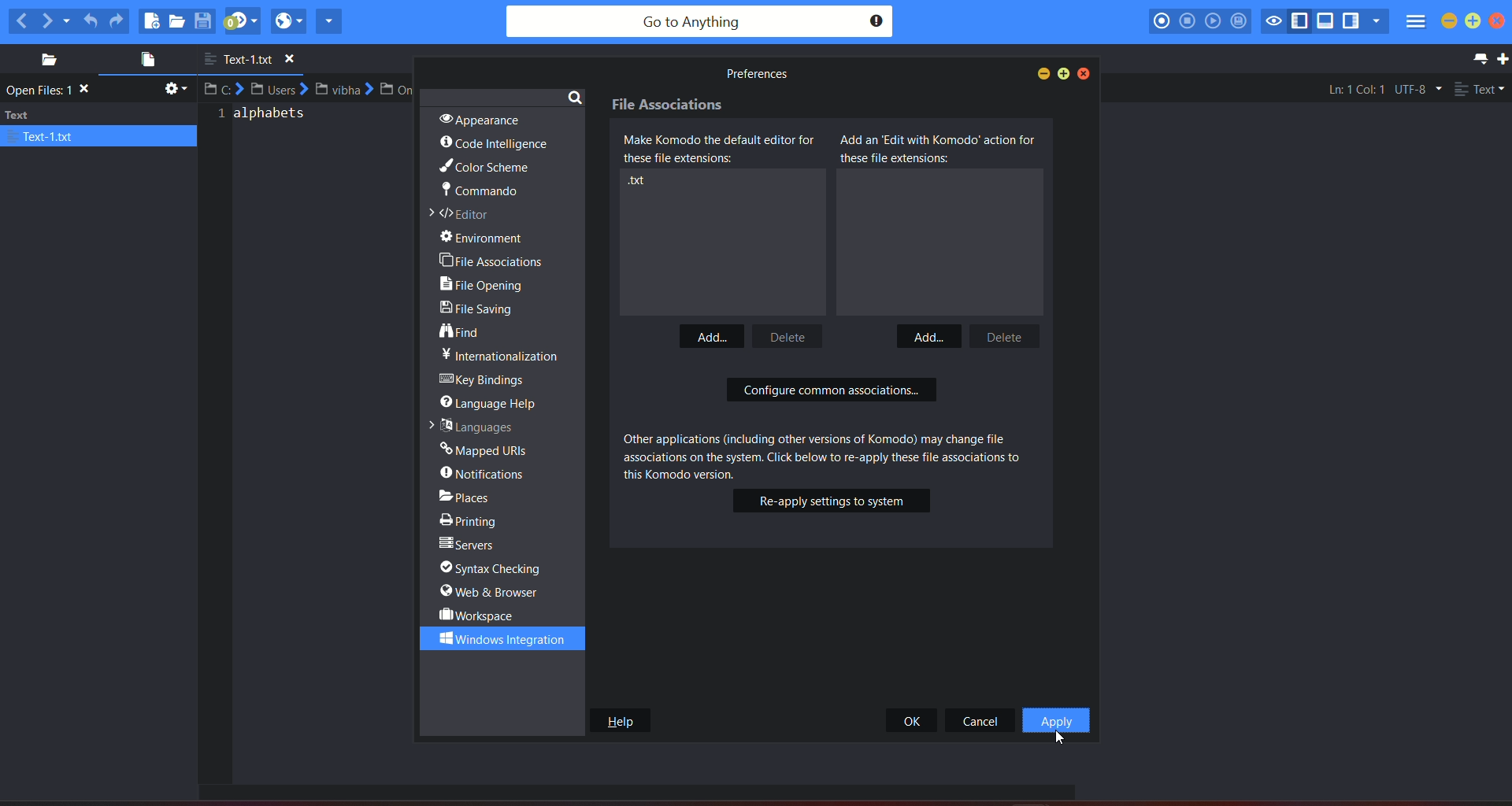 This screenshot has height=806, width=1512. What do you see at coordinates (1065, 73) in the screenshot?
I see `maximize` at bounding box center [1065, 73].